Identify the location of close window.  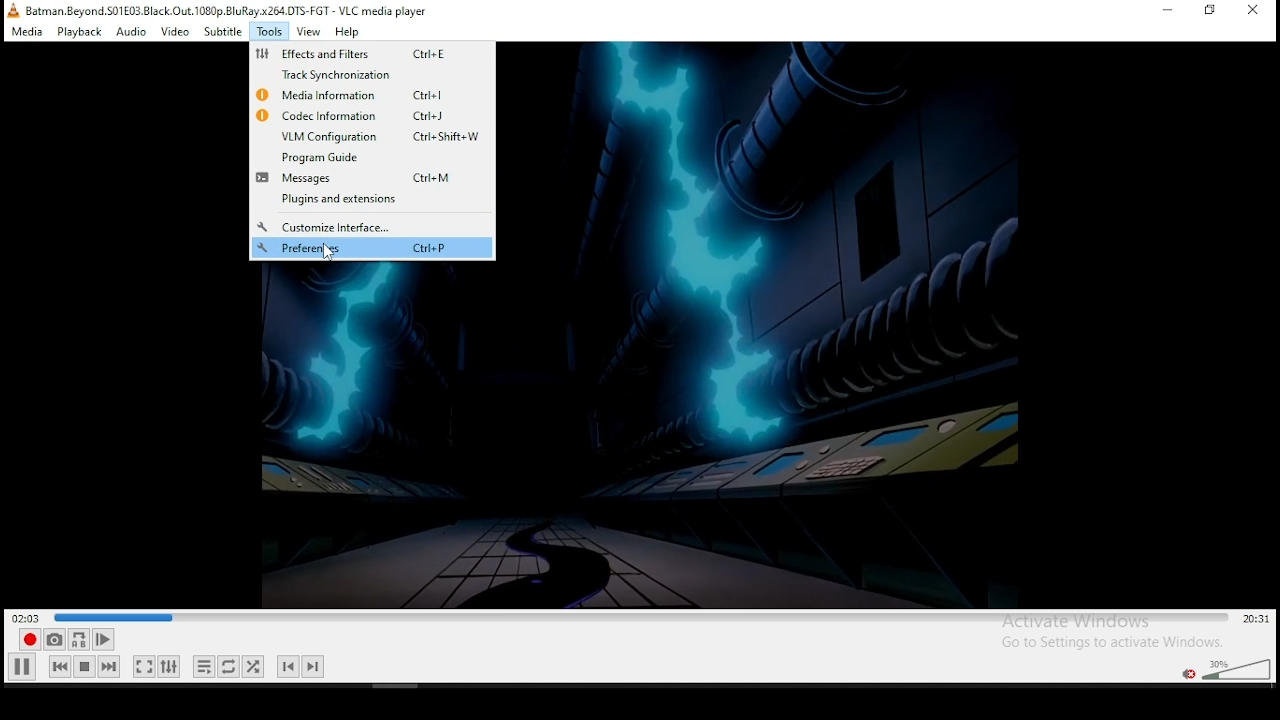
(1255, 10).